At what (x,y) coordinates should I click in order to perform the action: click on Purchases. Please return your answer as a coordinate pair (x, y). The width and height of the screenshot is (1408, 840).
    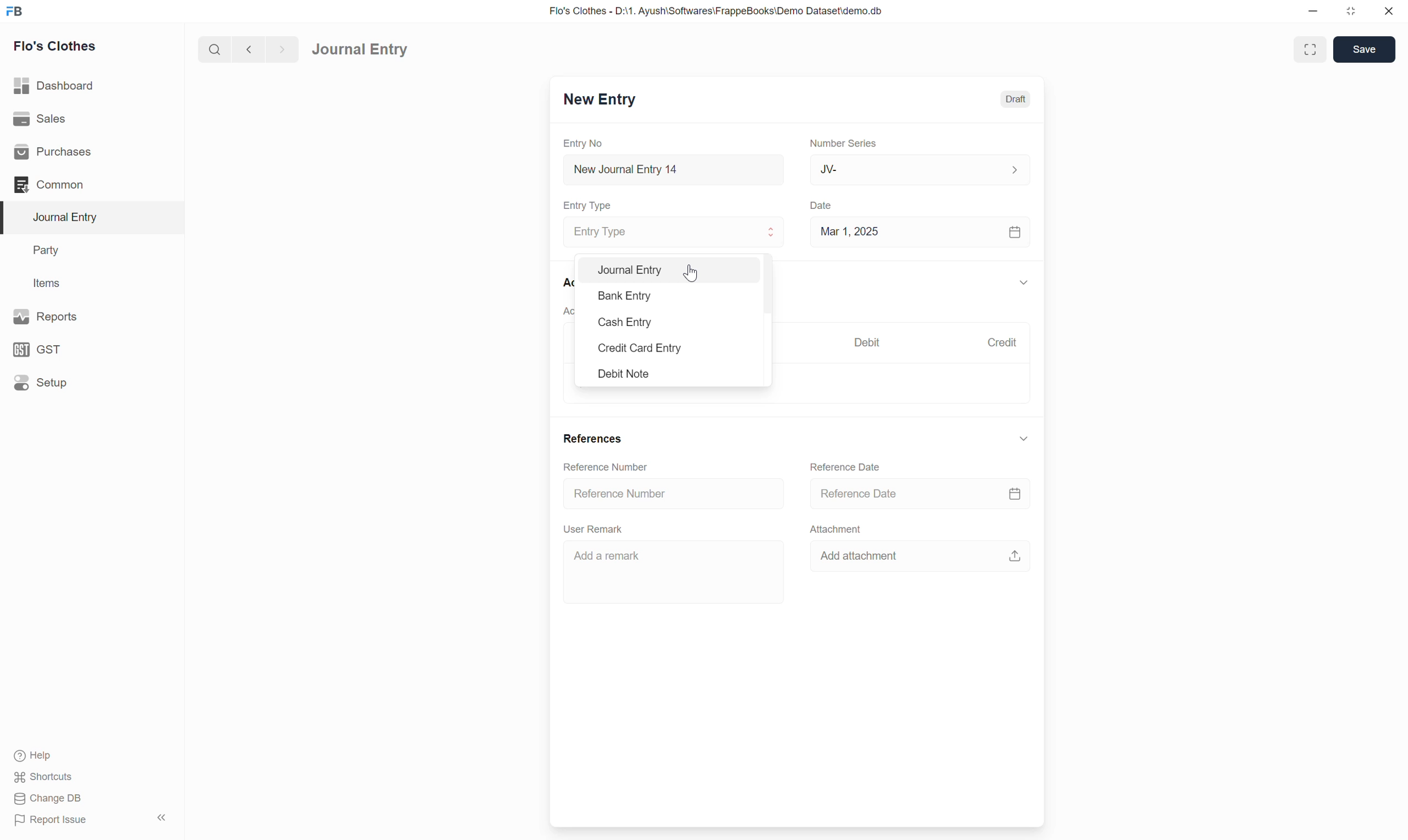
    Looking at the image, I should click on (56, 152).